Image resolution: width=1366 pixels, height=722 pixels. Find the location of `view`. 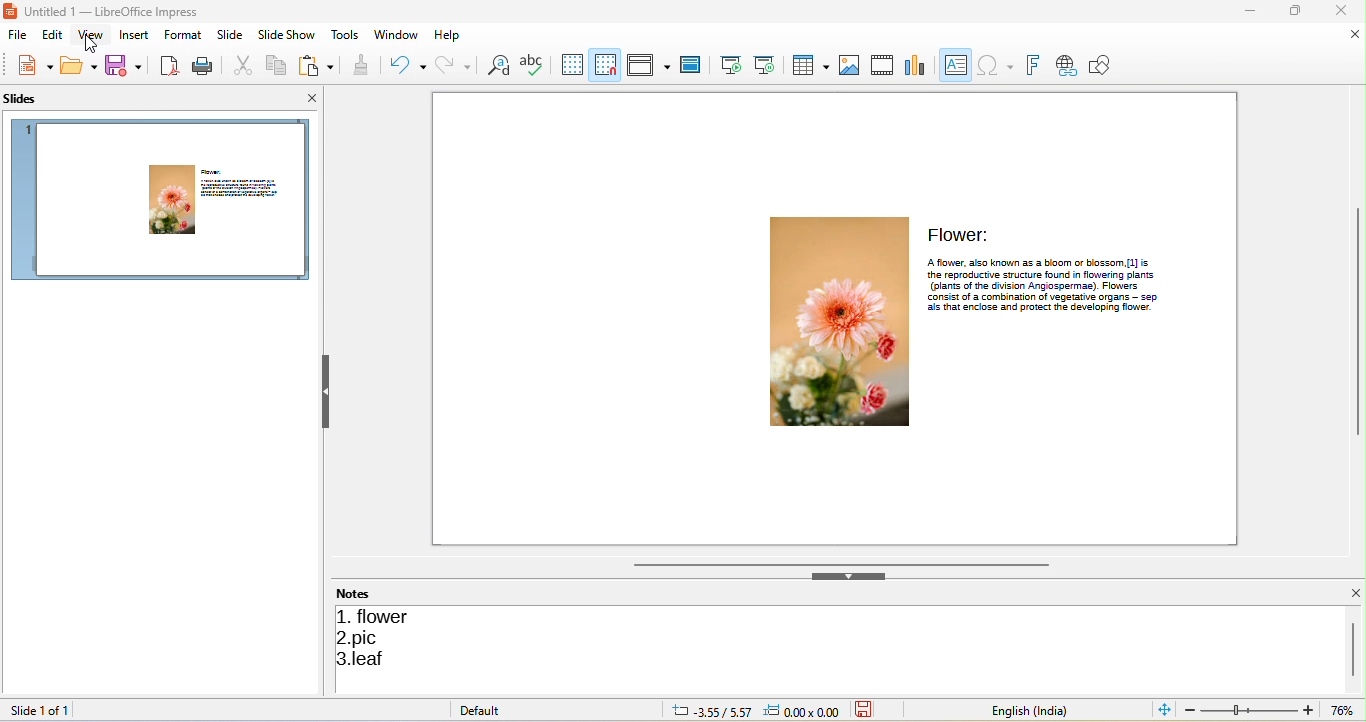

view is located at coordinates (88, 38).